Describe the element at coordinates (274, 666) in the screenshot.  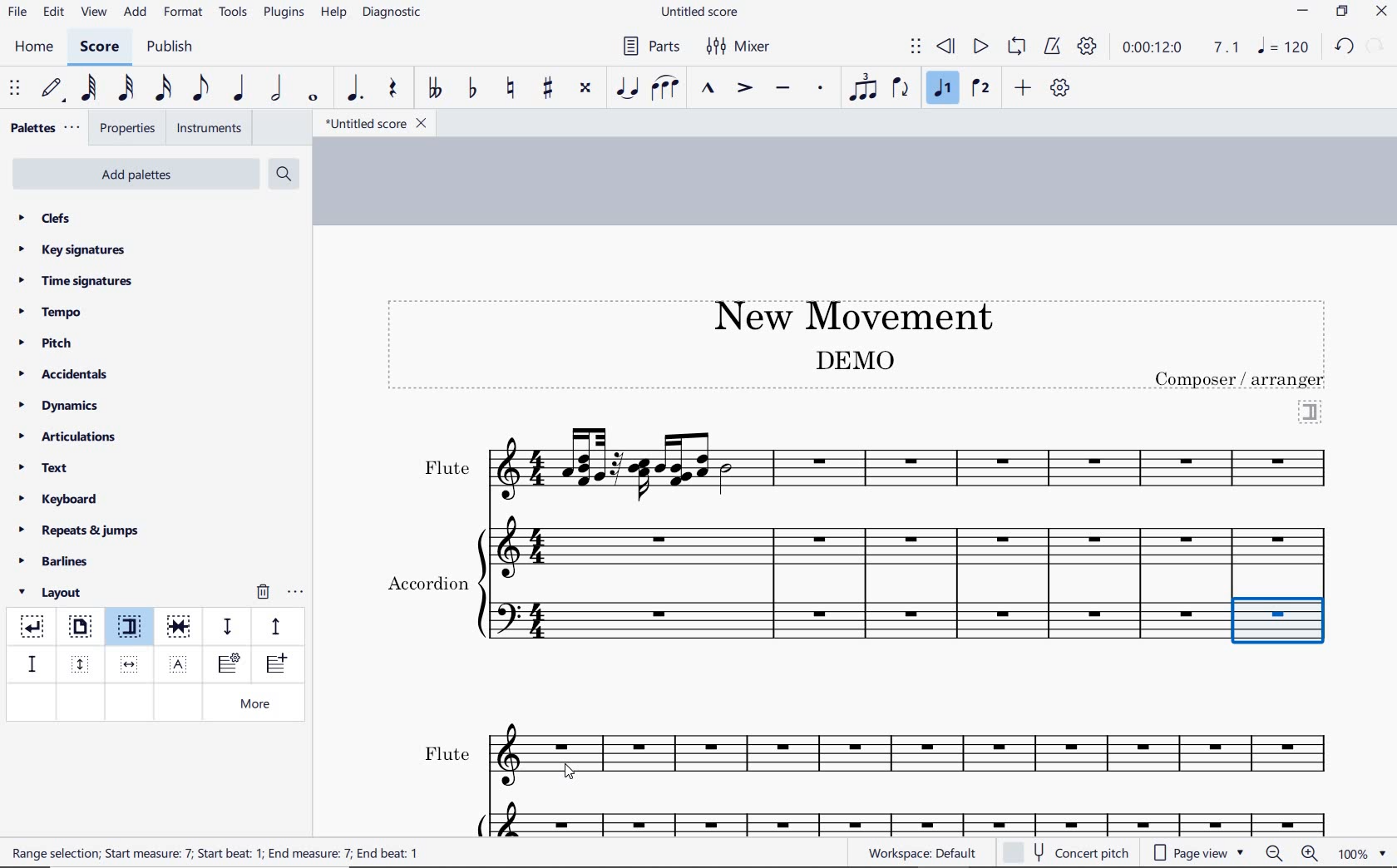
I see `insert one measure before selection` at that location.